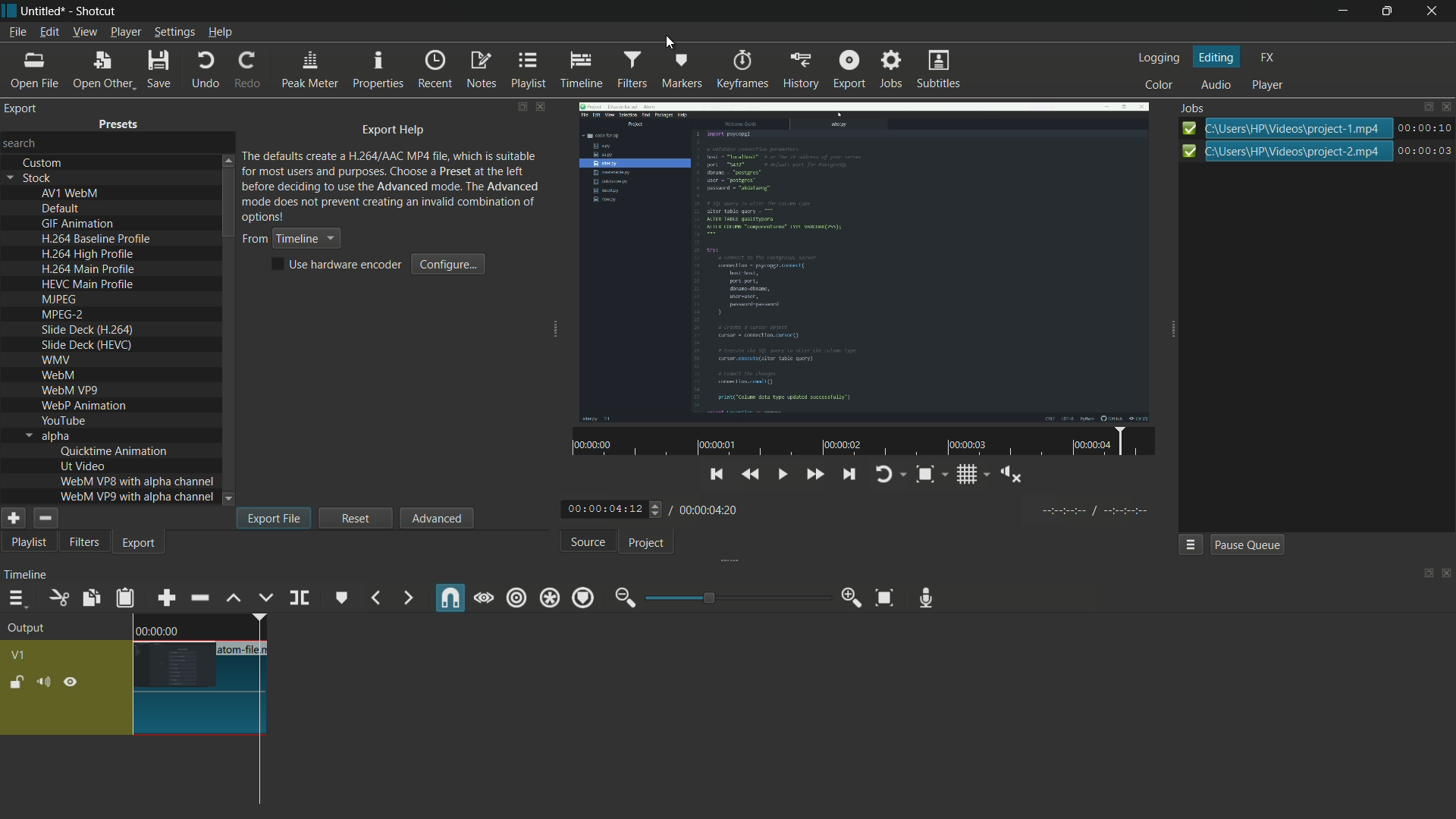  What do you see at coordinates (127, 600) in the screenshot?
I see `paste` at bounding box center [127, 600].